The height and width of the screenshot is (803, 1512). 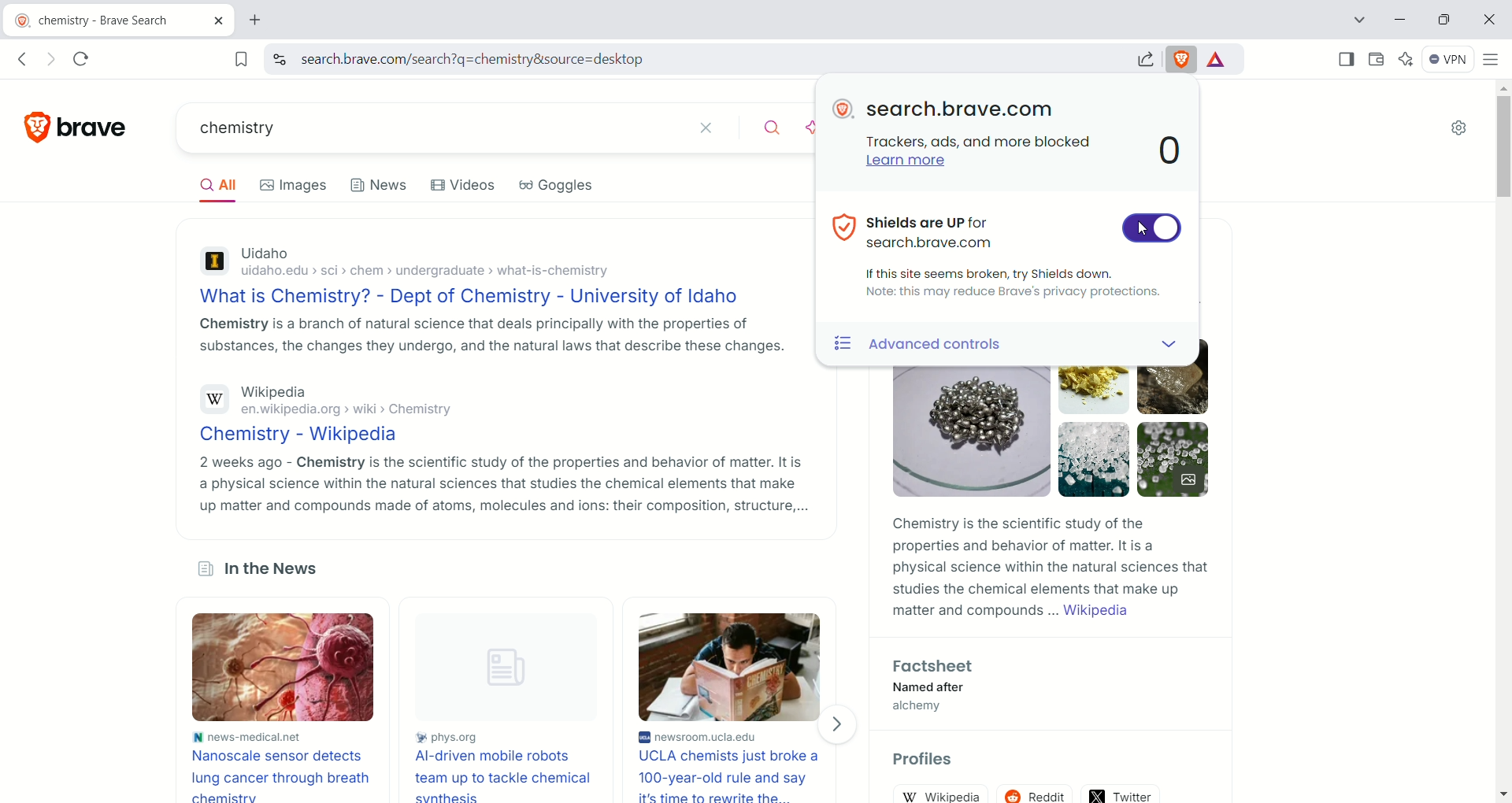 What do you see at coordinates (939, 666) in the screenshot?
I see `Factsheet` at bounding box center [939, 666].